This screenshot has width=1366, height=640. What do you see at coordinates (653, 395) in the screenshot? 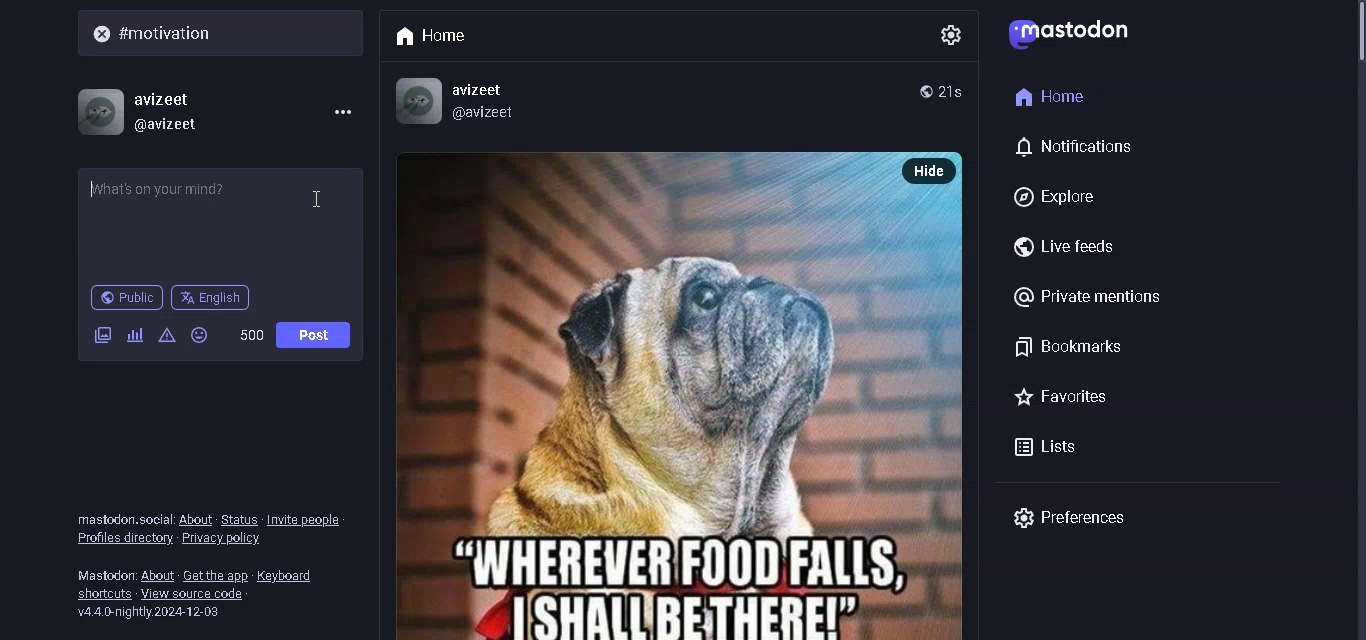
I see `post with image` at bounding box center [653, 395].